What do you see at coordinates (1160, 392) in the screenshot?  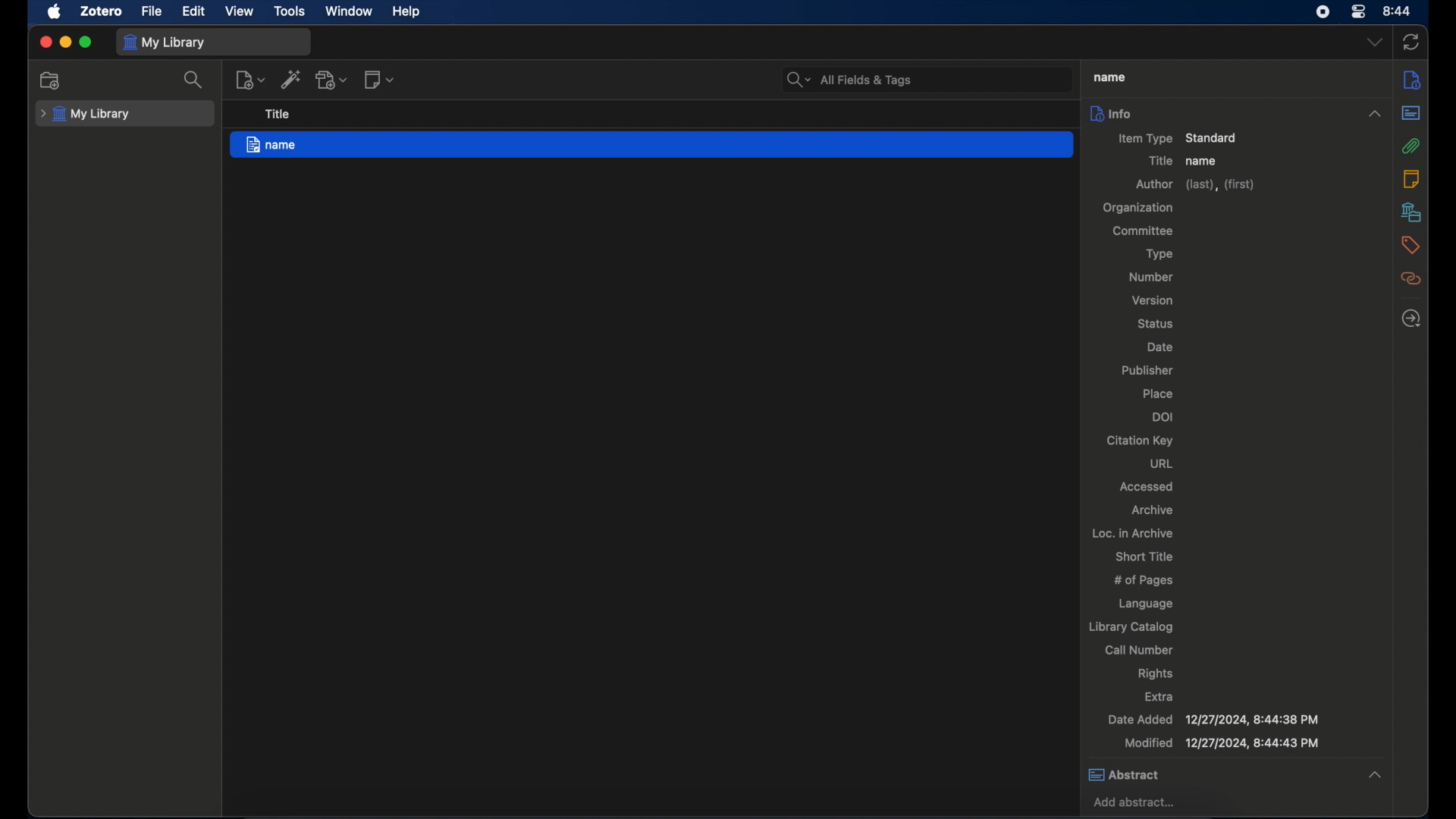 I see `place` at bounding box center [1160, 392].